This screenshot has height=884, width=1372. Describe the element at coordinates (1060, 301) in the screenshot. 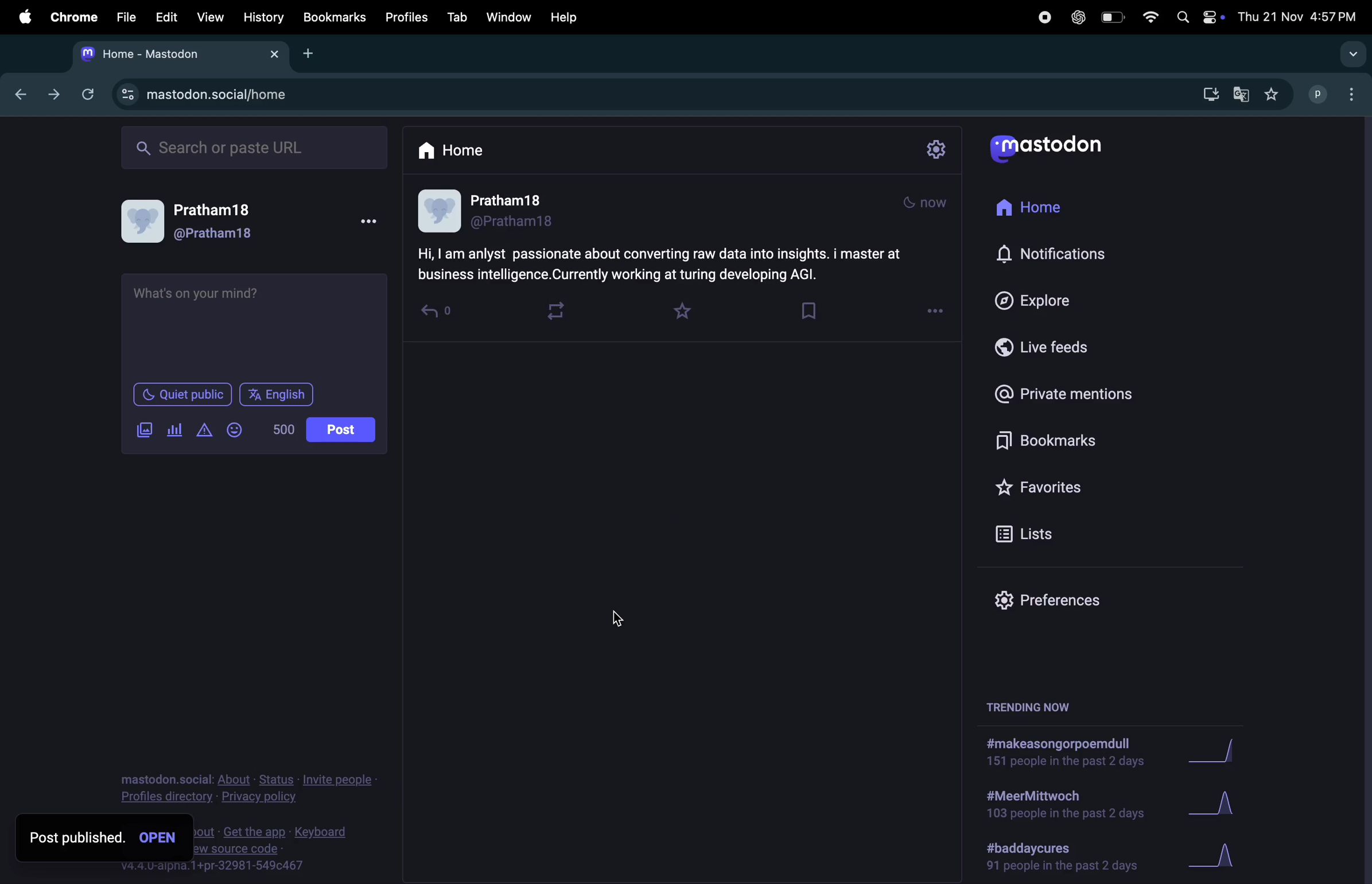

I see `explore` at that location.